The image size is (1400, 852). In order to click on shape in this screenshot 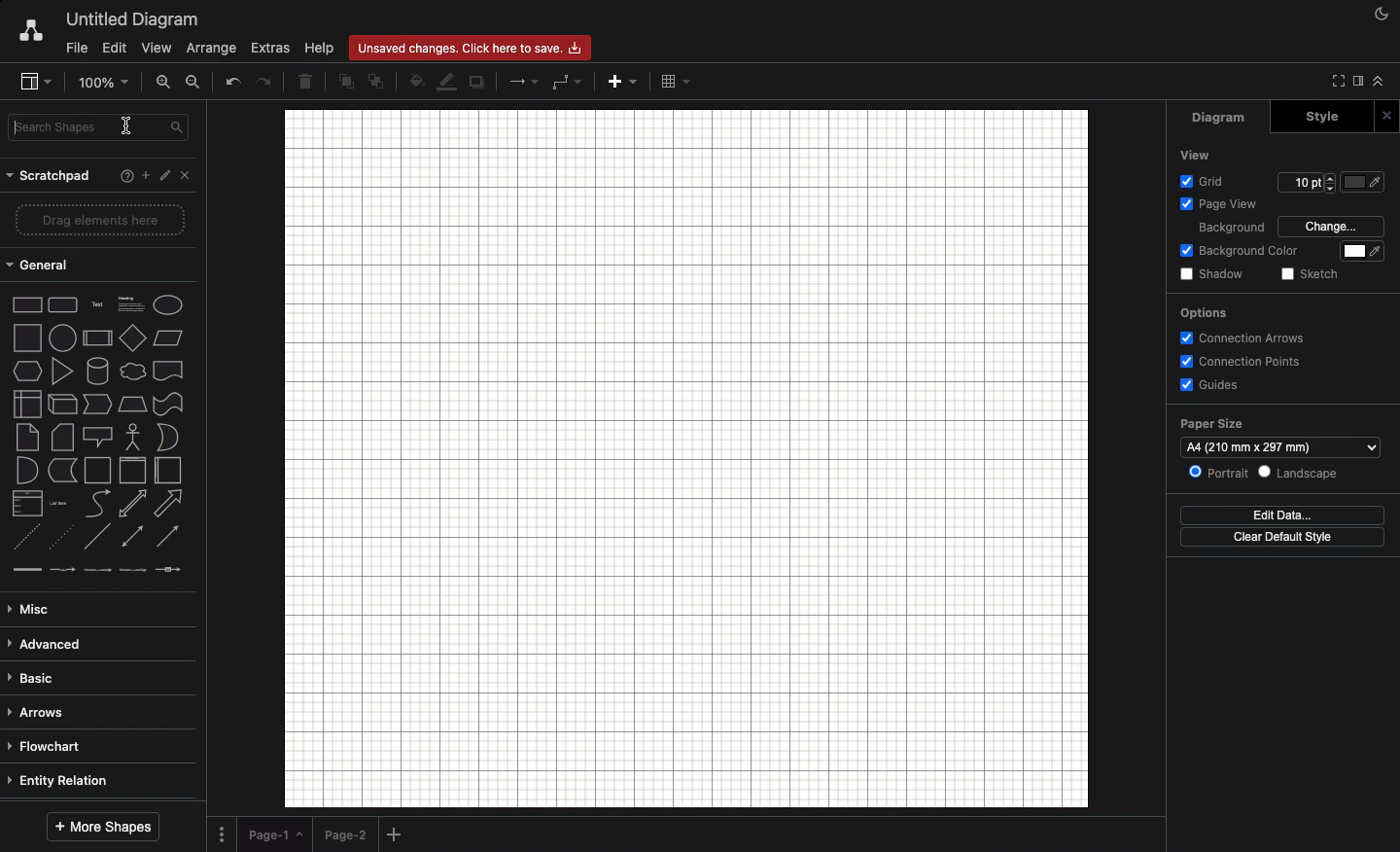, I will do `click(101, 502)`.